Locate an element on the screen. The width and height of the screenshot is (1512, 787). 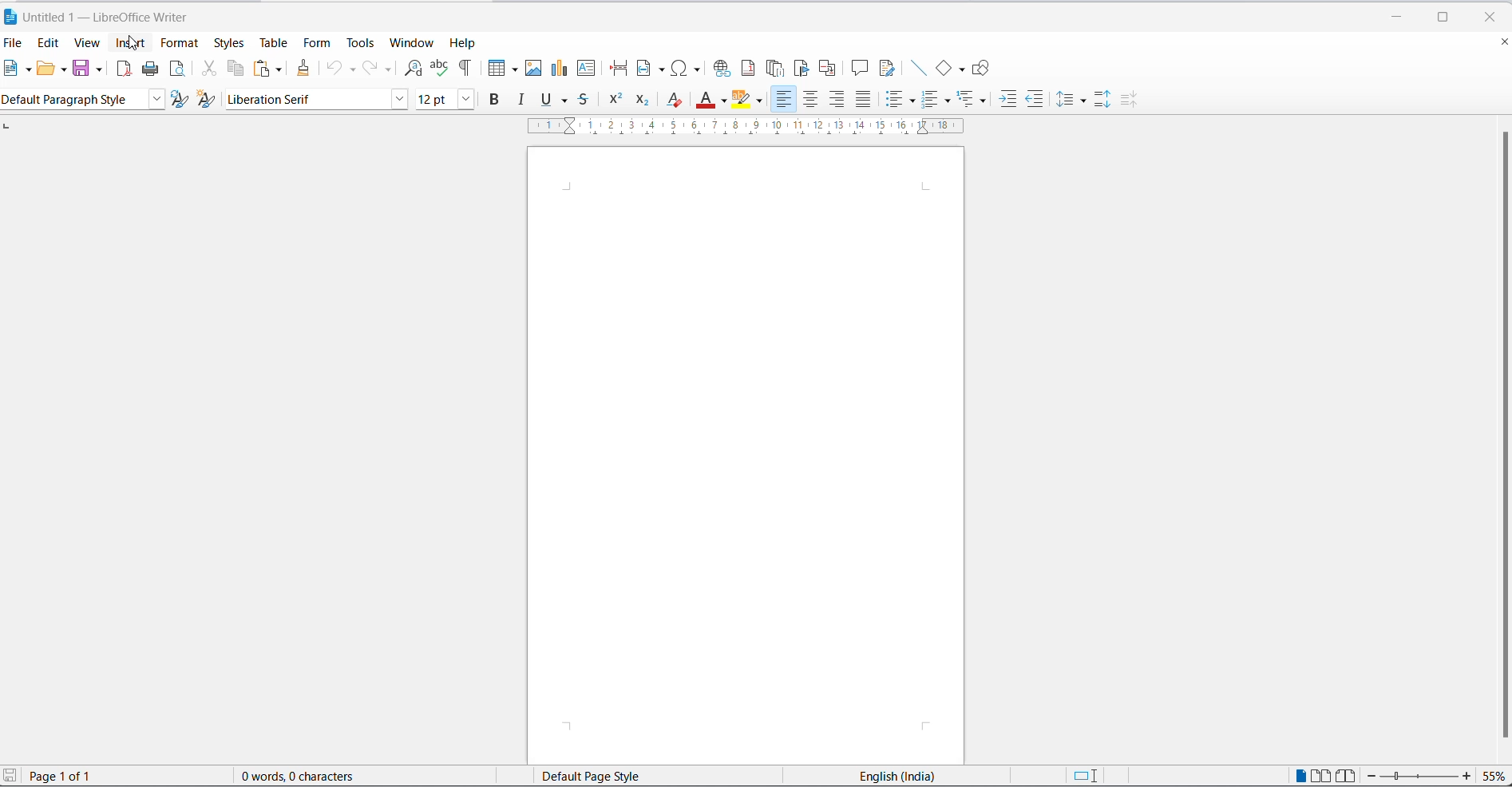
toggle formatting marks is located at coordinates (467, 68).